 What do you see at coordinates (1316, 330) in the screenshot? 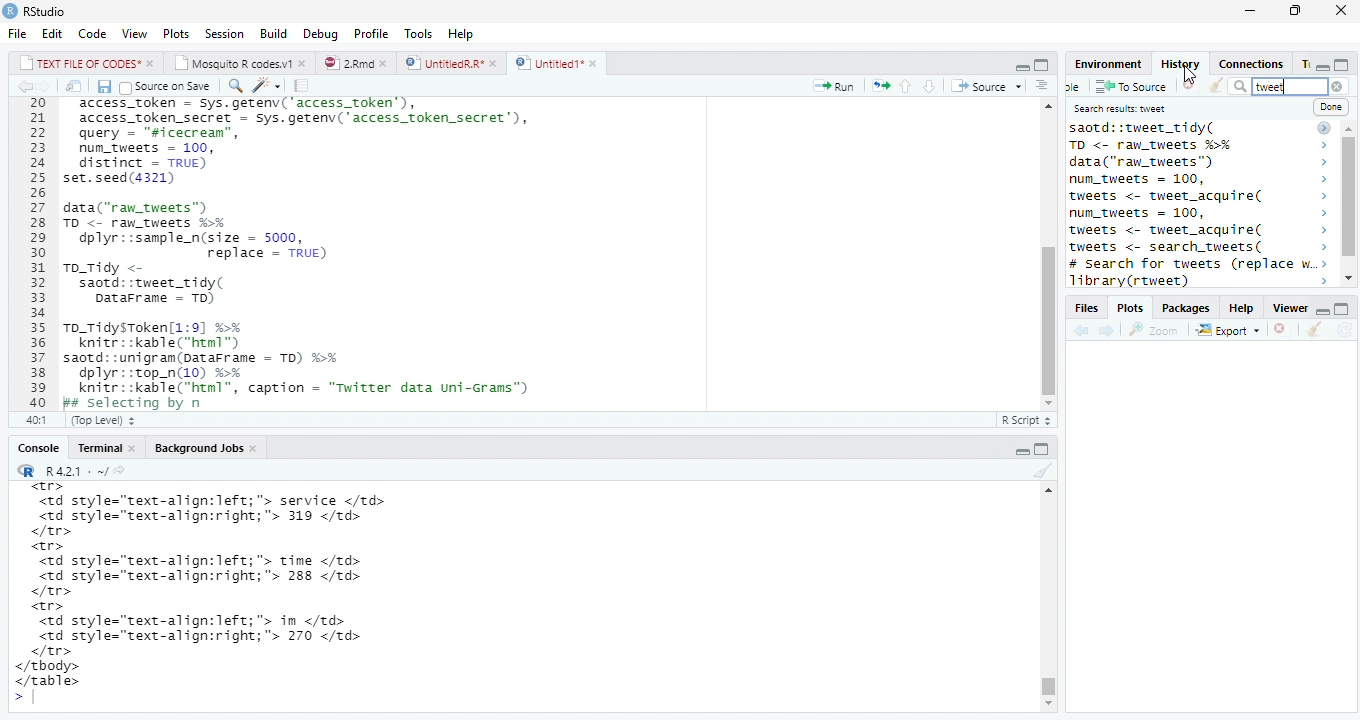
I see `clear console` at bounding box center [1316, 330].